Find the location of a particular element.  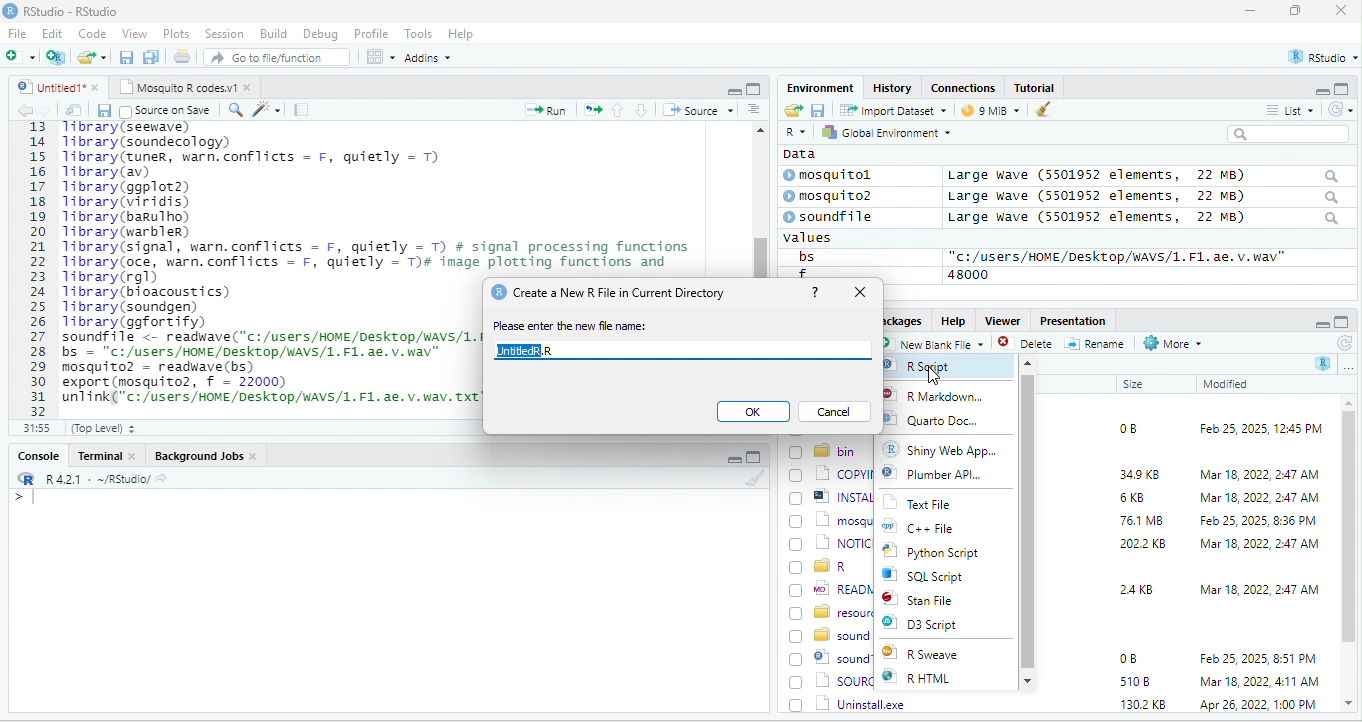

31:55 is located at coordinates (34, 428).